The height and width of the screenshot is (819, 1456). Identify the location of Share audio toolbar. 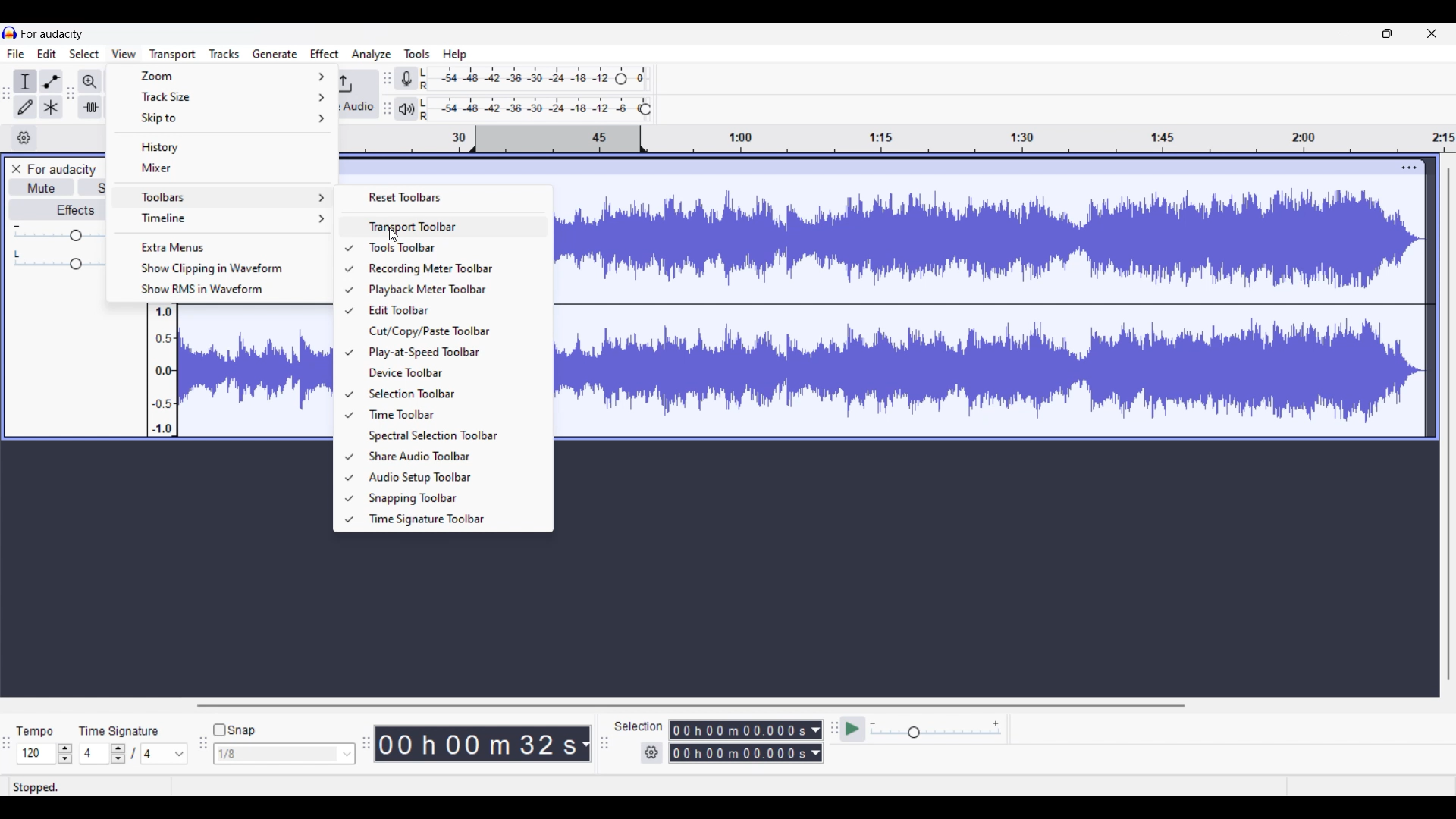
(451, 456).